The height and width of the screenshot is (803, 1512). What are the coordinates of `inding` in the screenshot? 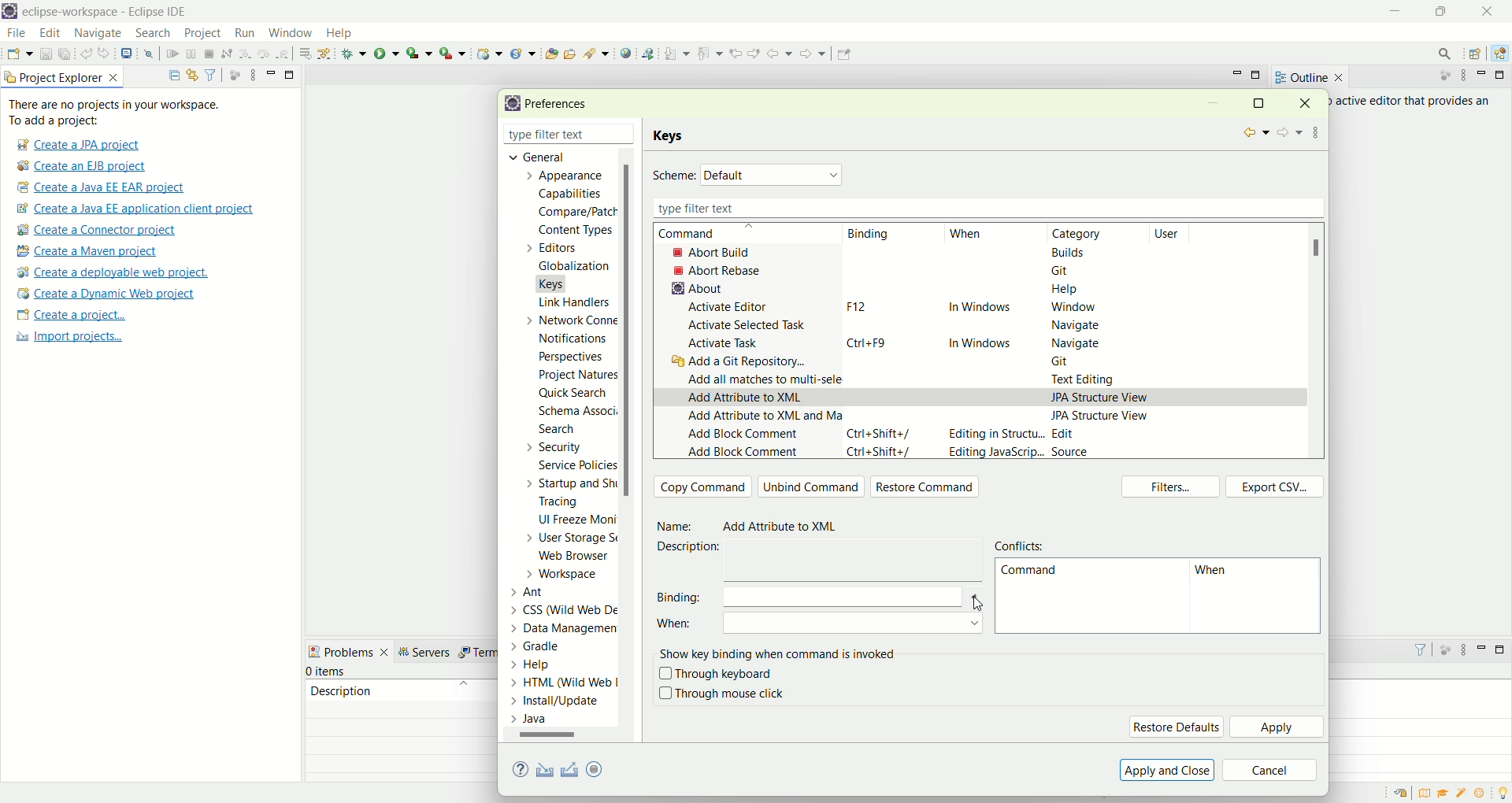 It's located at (870, 235).